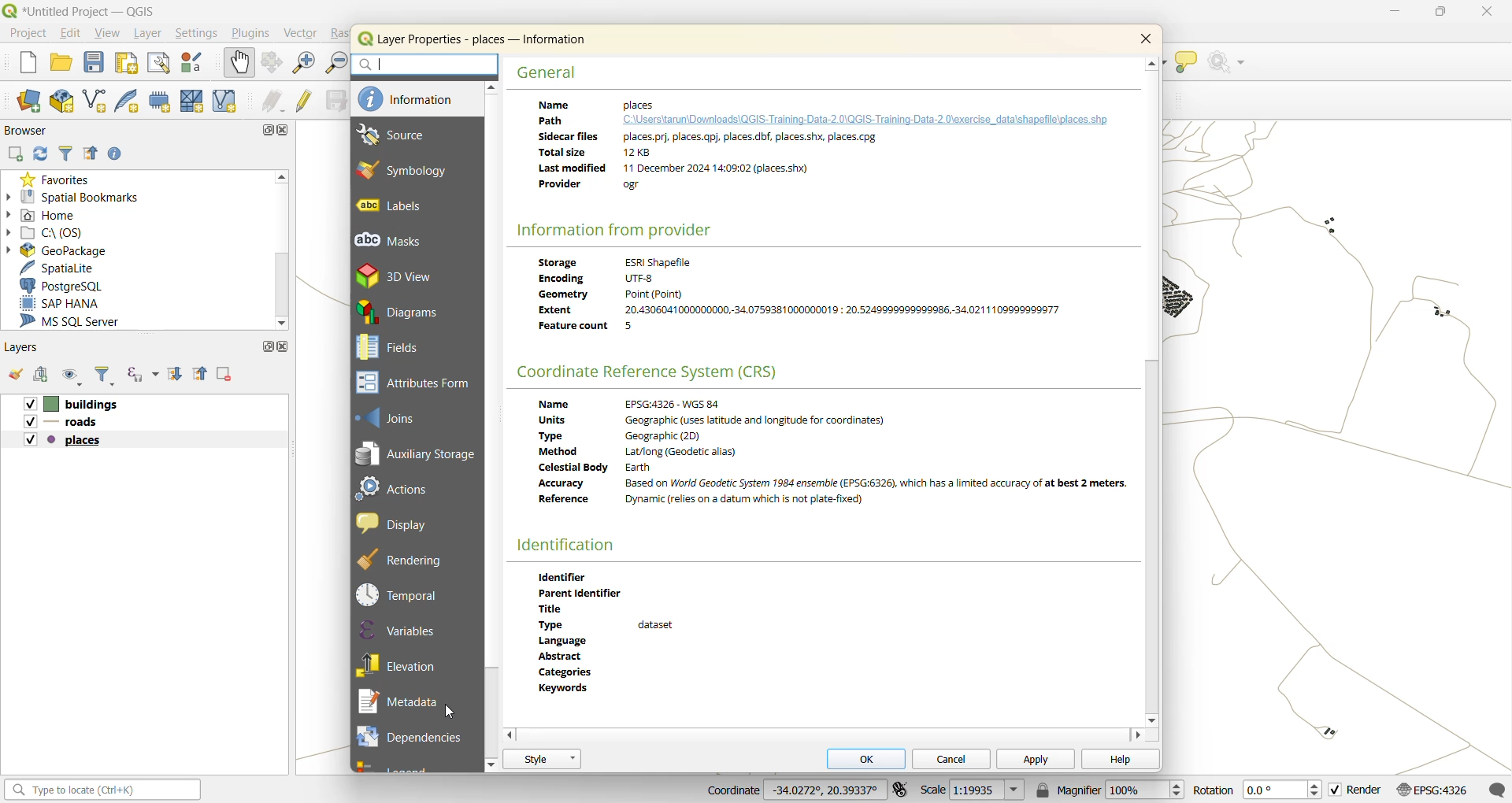 The width and height of the screenshot is (1512, 803). Describe the element at coordinates (273, 62) in the screenshot. I see `pan selection` at that location.